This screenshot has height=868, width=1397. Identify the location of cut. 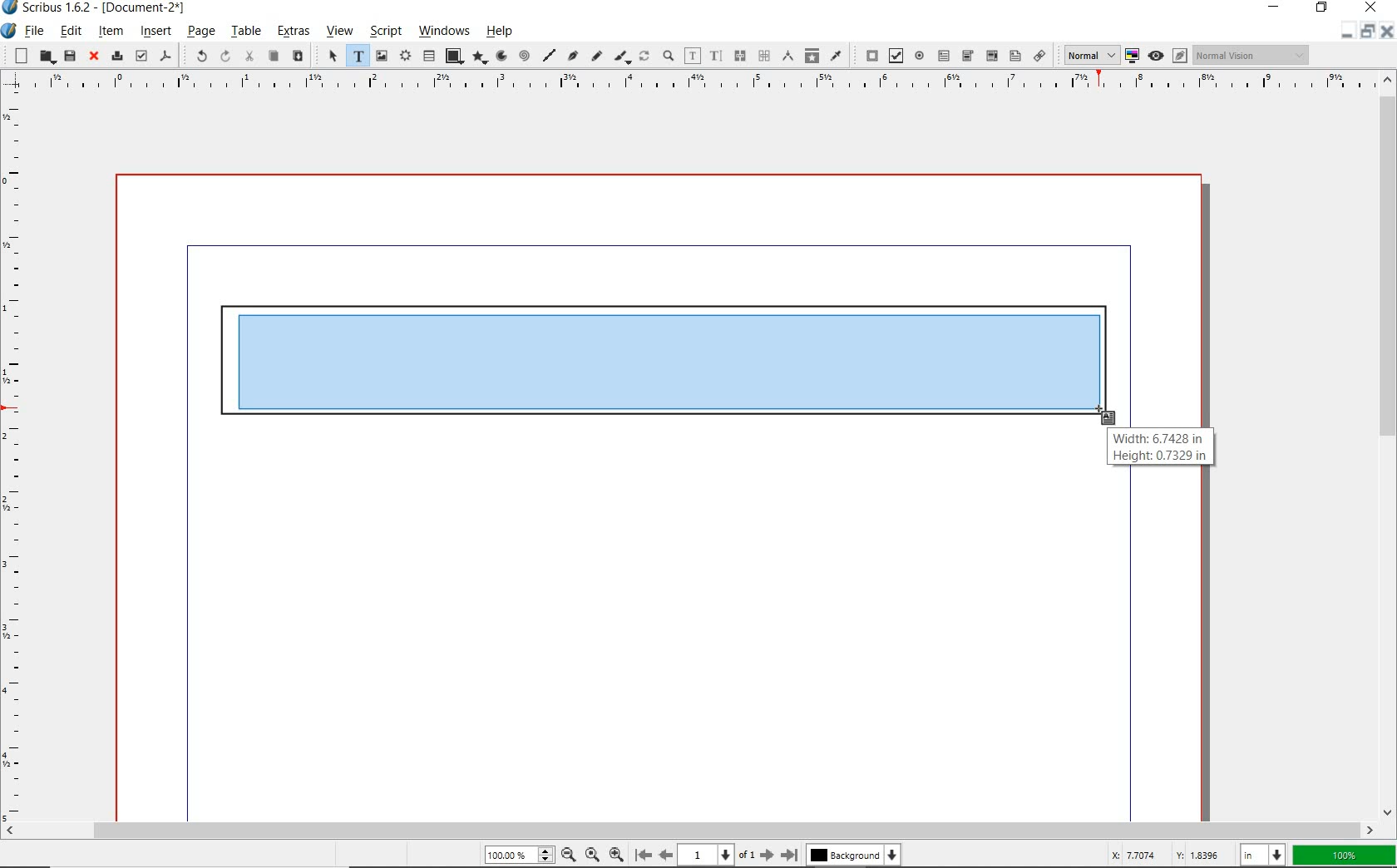
(249, 57).